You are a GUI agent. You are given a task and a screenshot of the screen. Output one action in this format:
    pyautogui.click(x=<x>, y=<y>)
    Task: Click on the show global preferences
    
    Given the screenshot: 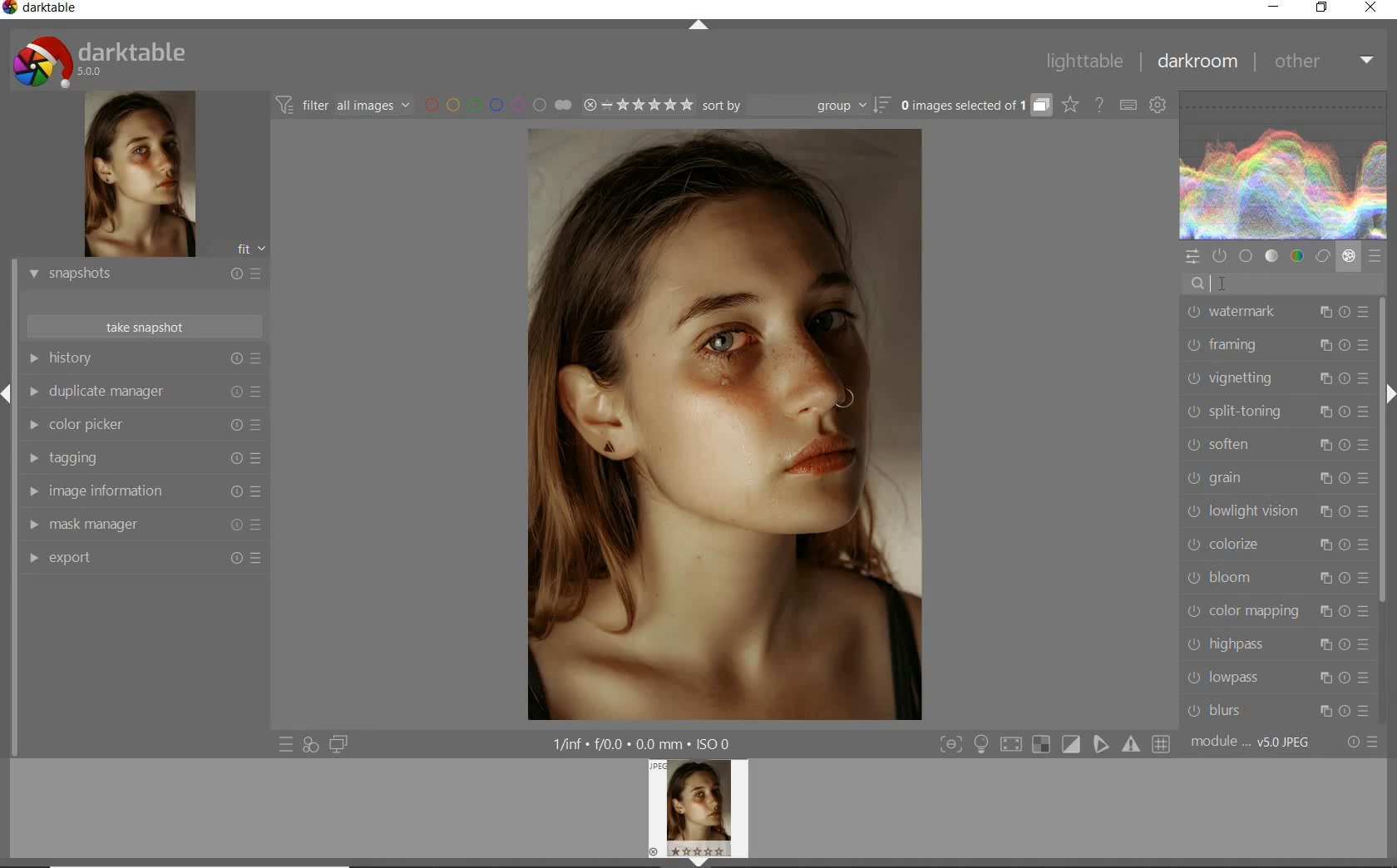 What is the action you would take?
    pyautogui.click(x=1158, y=106)
    